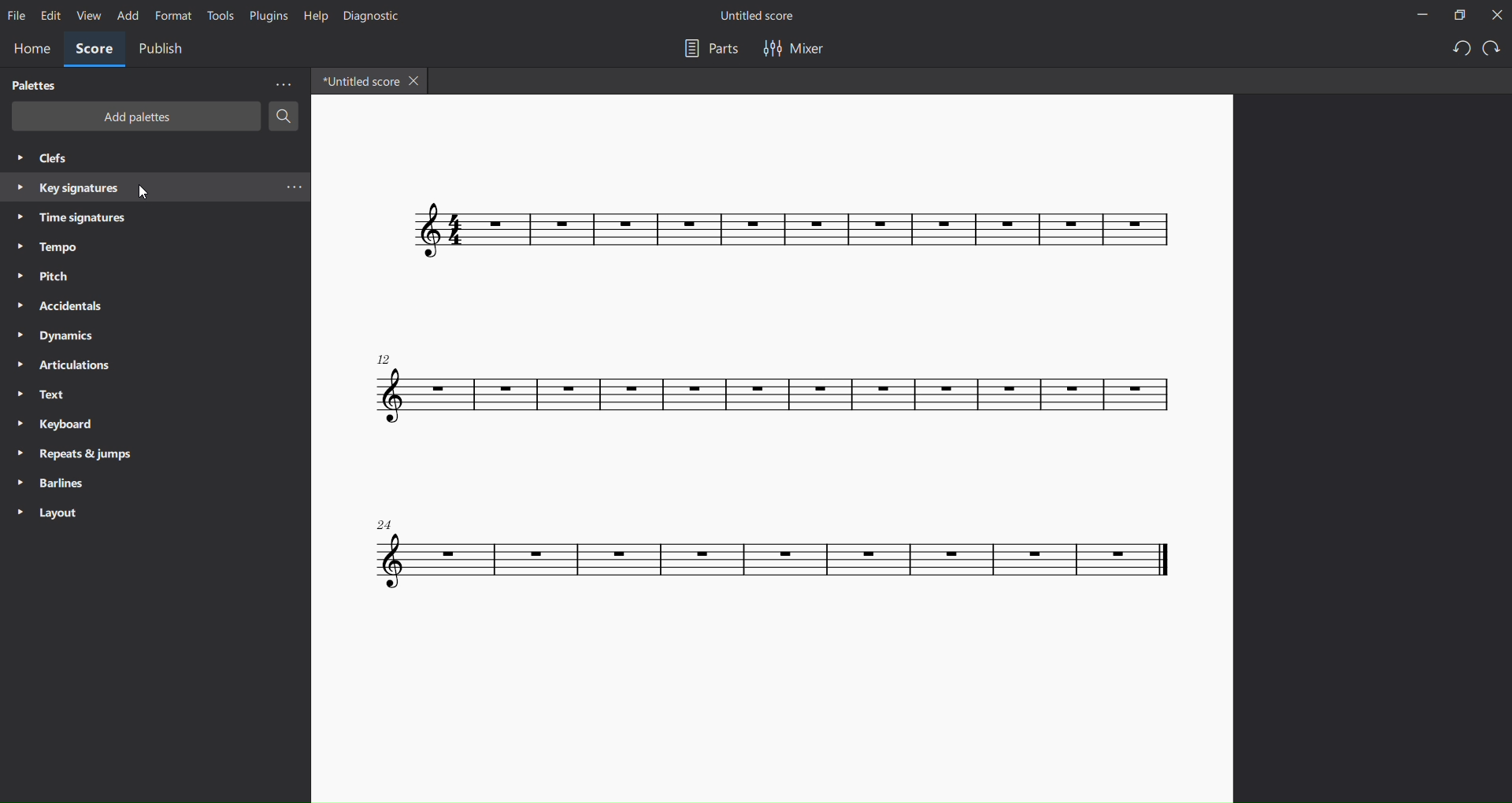  What do you see at coordinates (39, 393) in the screenshot?
I see `text` at bounding box center [39, 393].